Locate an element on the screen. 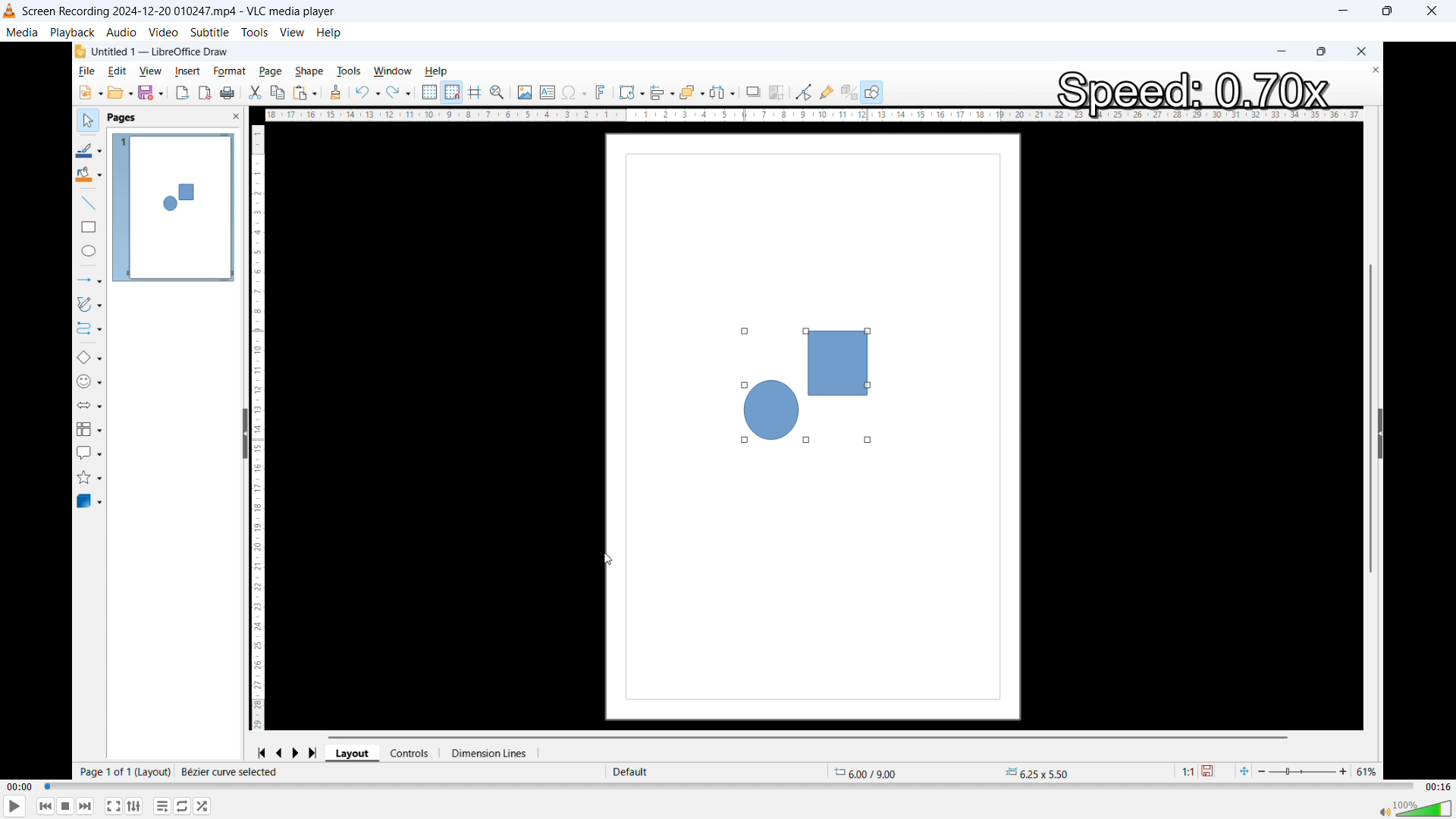 Image resolution: width=1456 pixels, height=819 pixels. help  is located at coordinates (330, 33).